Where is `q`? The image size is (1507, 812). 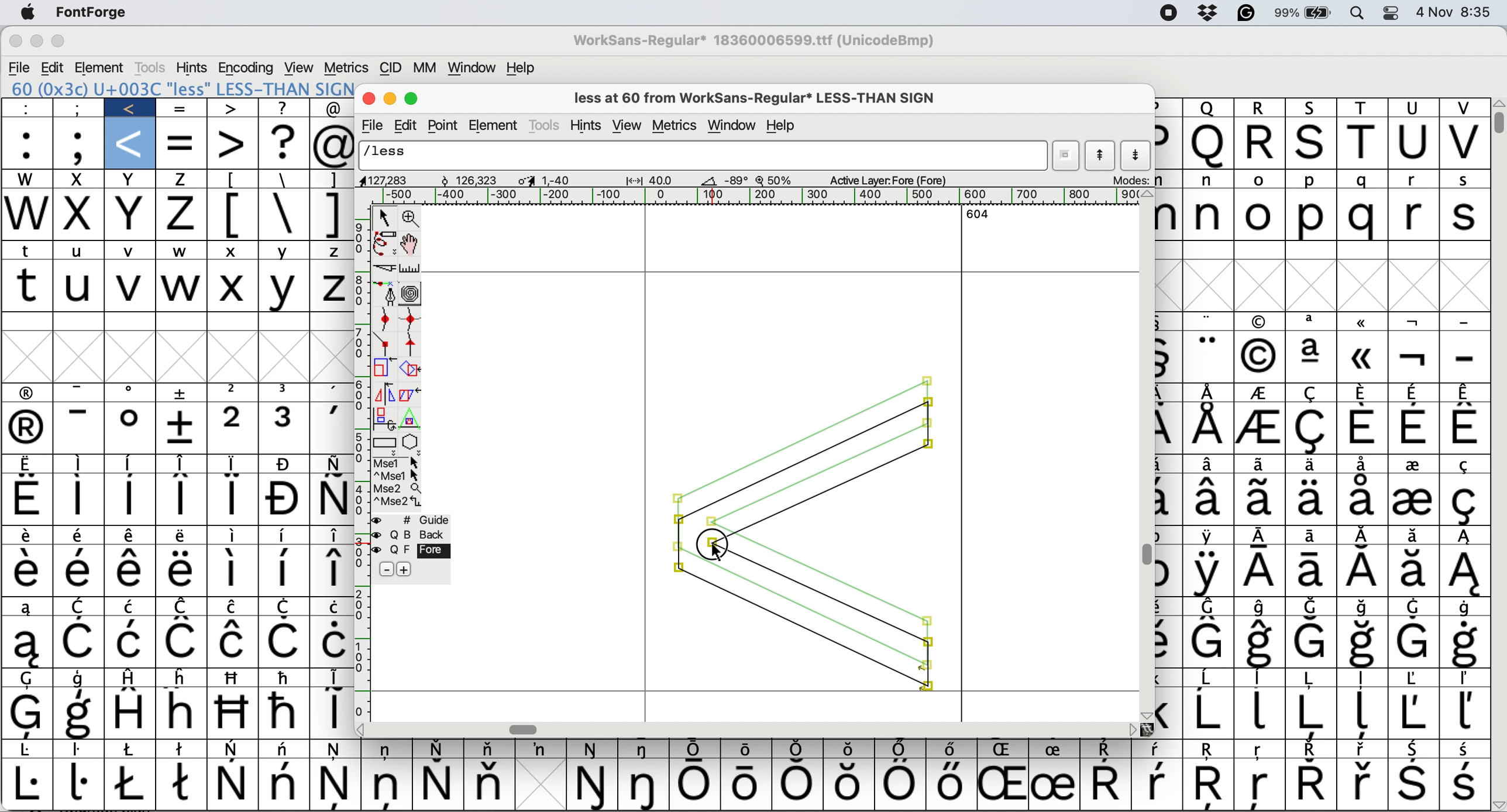
q is located at coordinates (1363, 215).